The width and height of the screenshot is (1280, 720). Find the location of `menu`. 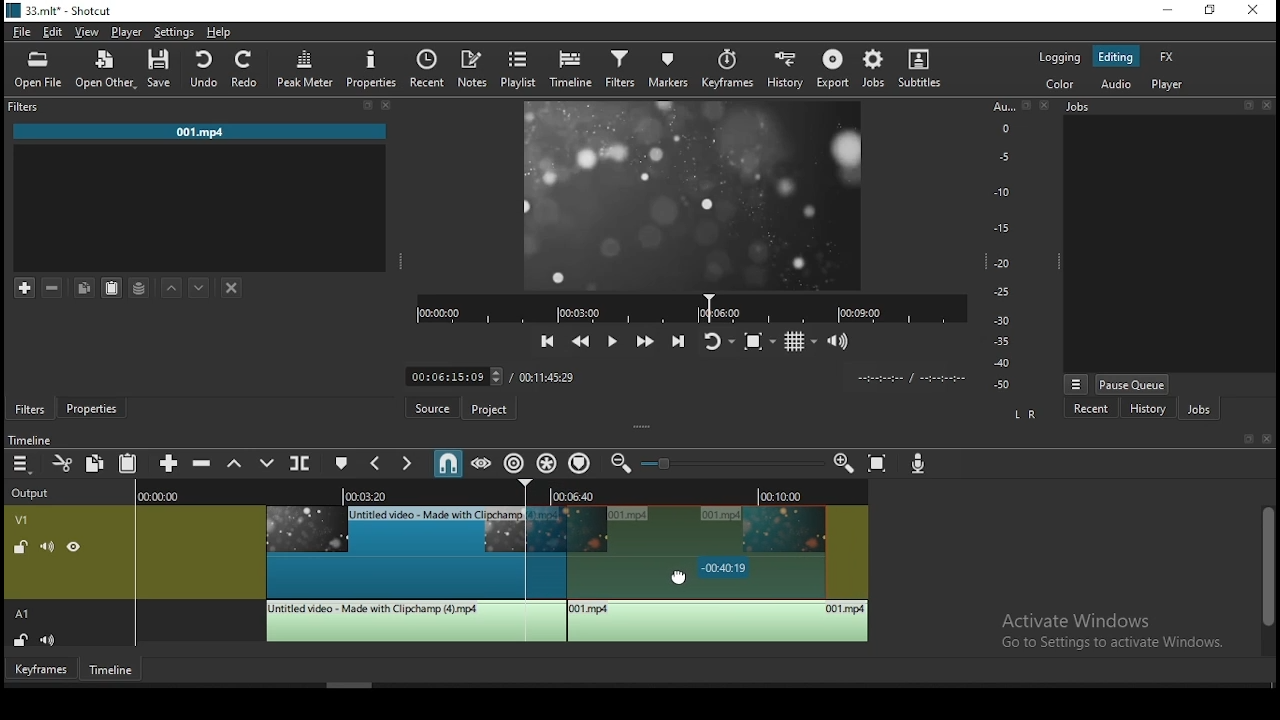

menu is located at coordinates (23, 465).